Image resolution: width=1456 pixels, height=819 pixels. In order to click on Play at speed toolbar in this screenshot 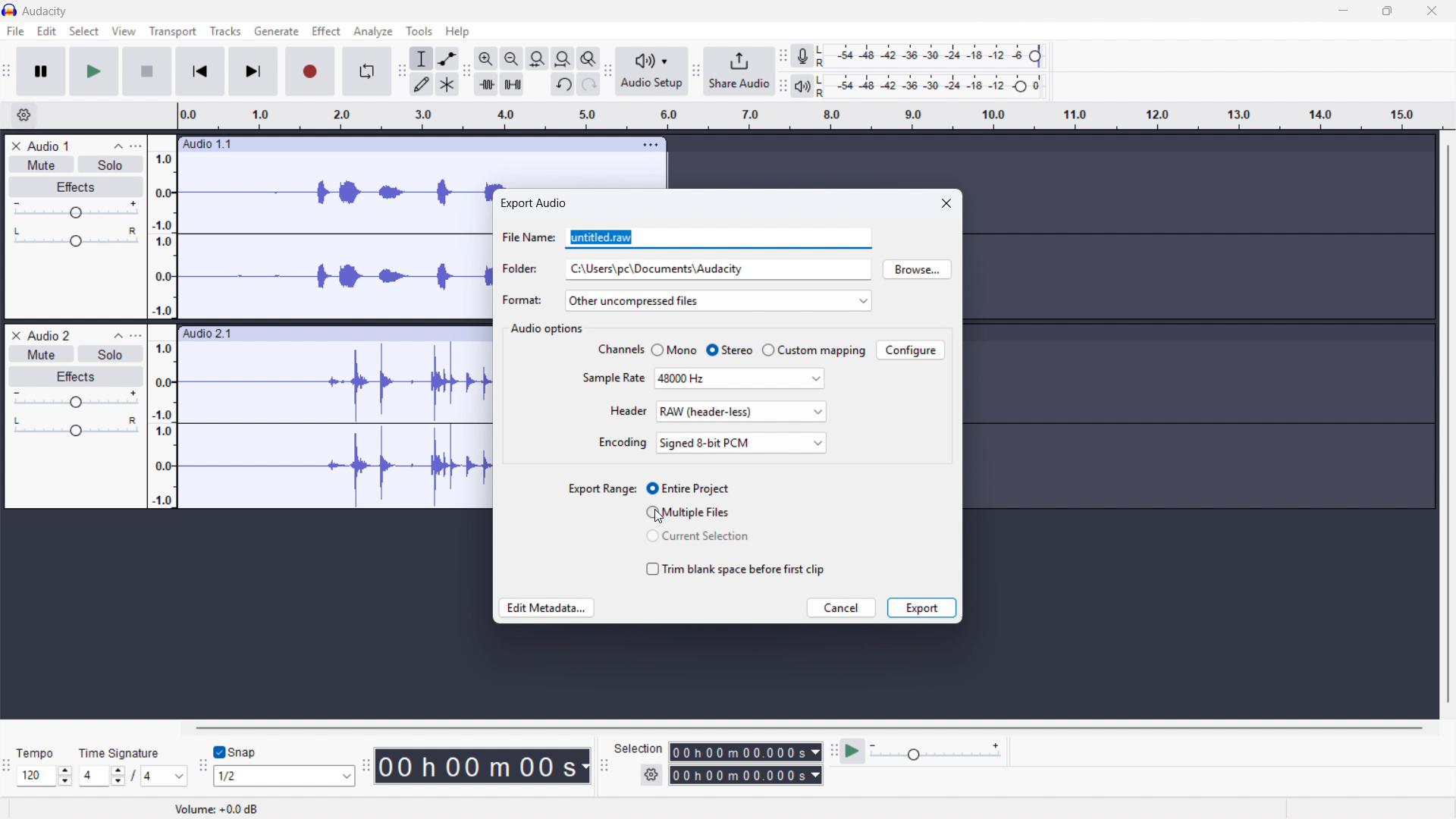, I will do `click(832, 752)`.